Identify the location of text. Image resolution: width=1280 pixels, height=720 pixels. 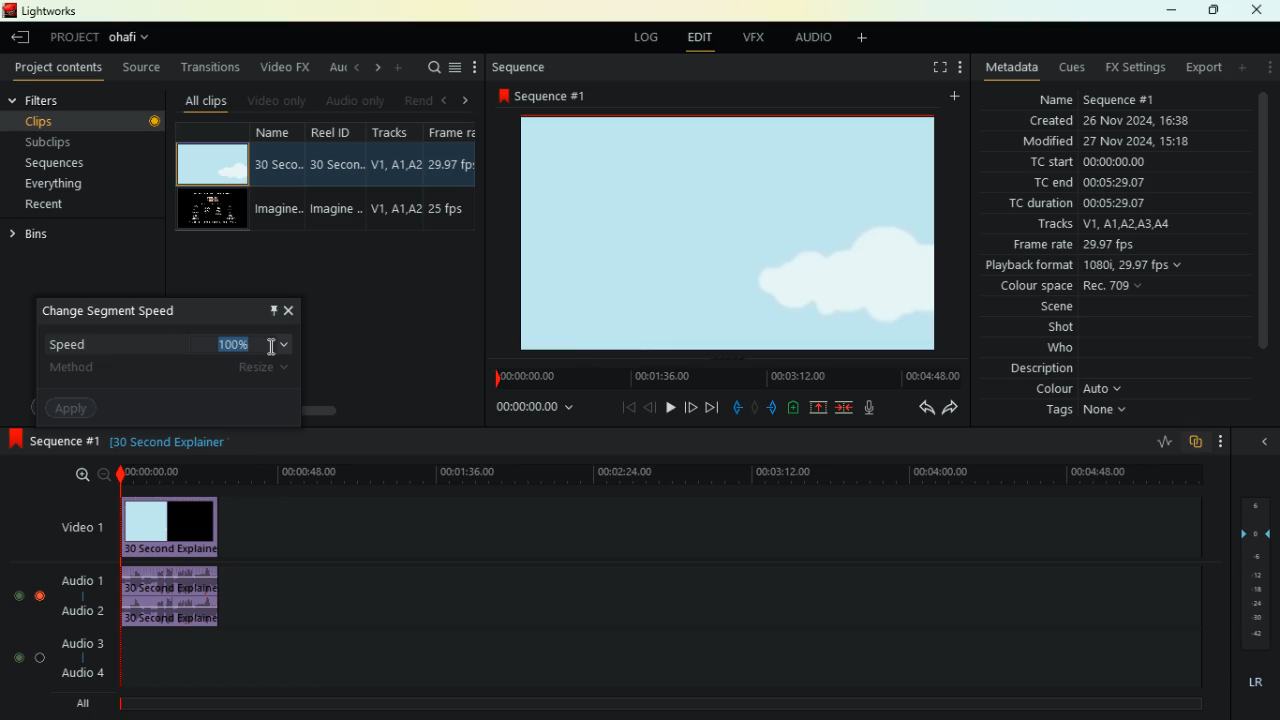
(186, 444).